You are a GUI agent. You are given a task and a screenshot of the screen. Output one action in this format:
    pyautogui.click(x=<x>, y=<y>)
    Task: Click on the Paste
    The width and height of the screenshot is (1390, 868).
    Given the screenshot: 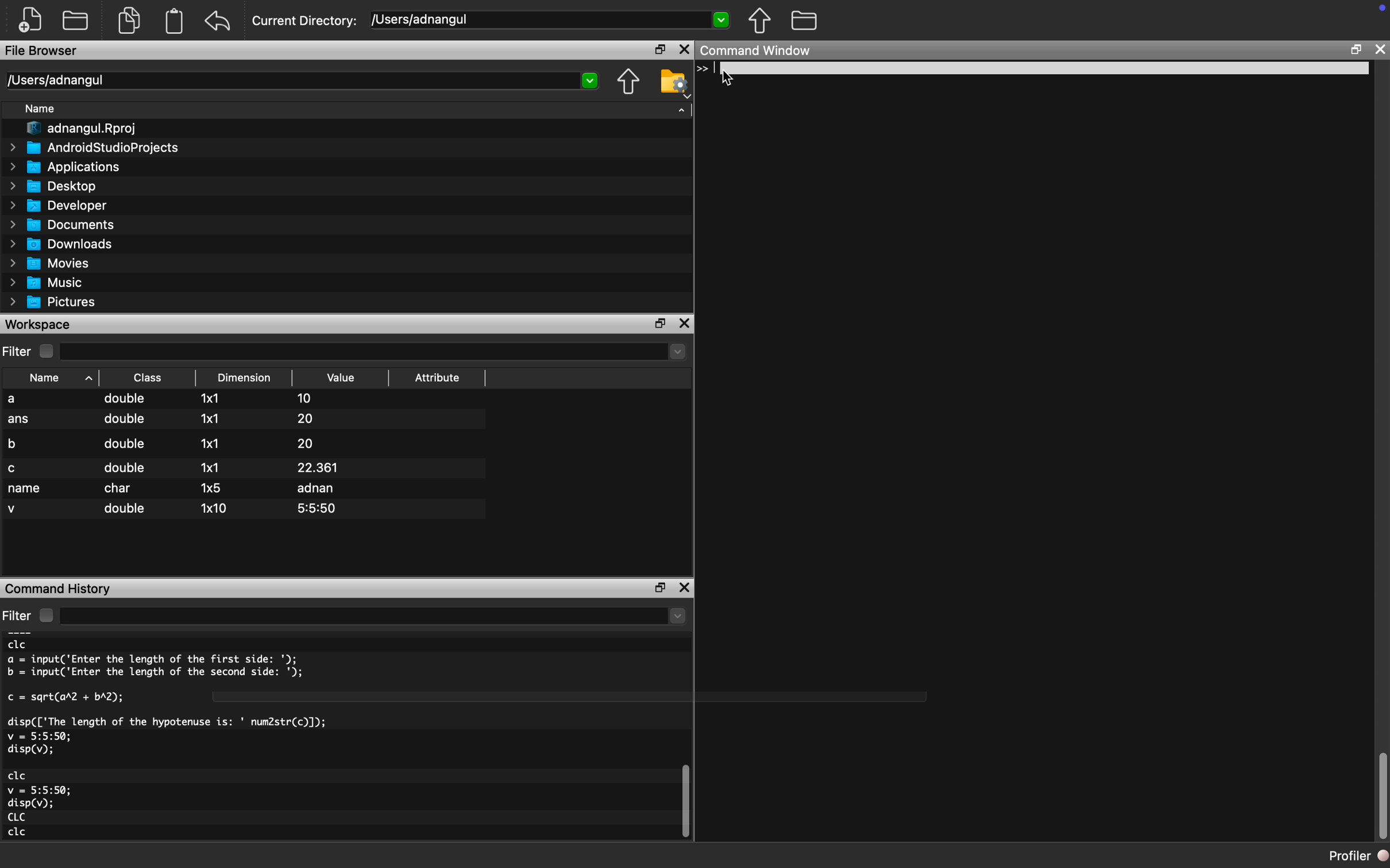 What is the action you would take?
    pyautogui.click(x=176, y=21)
    